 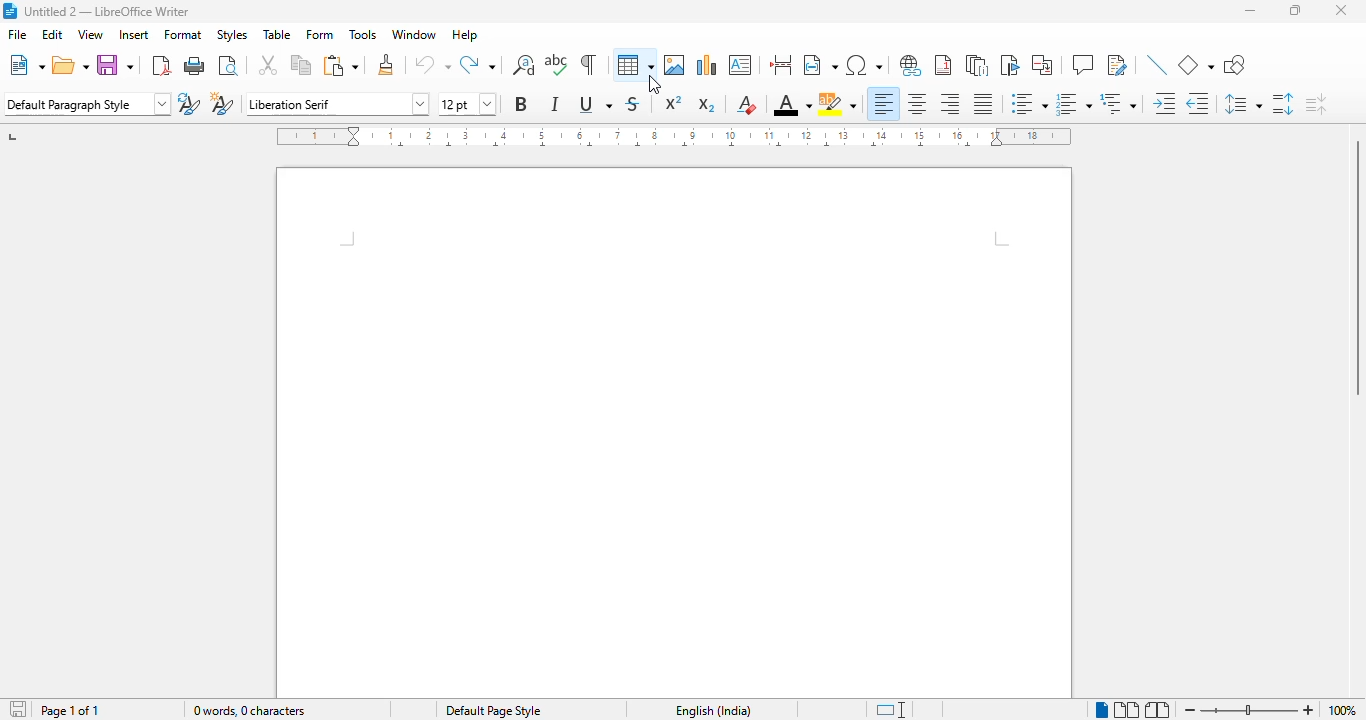 I want to click on character highlighting color, so click(x=838, y=105).